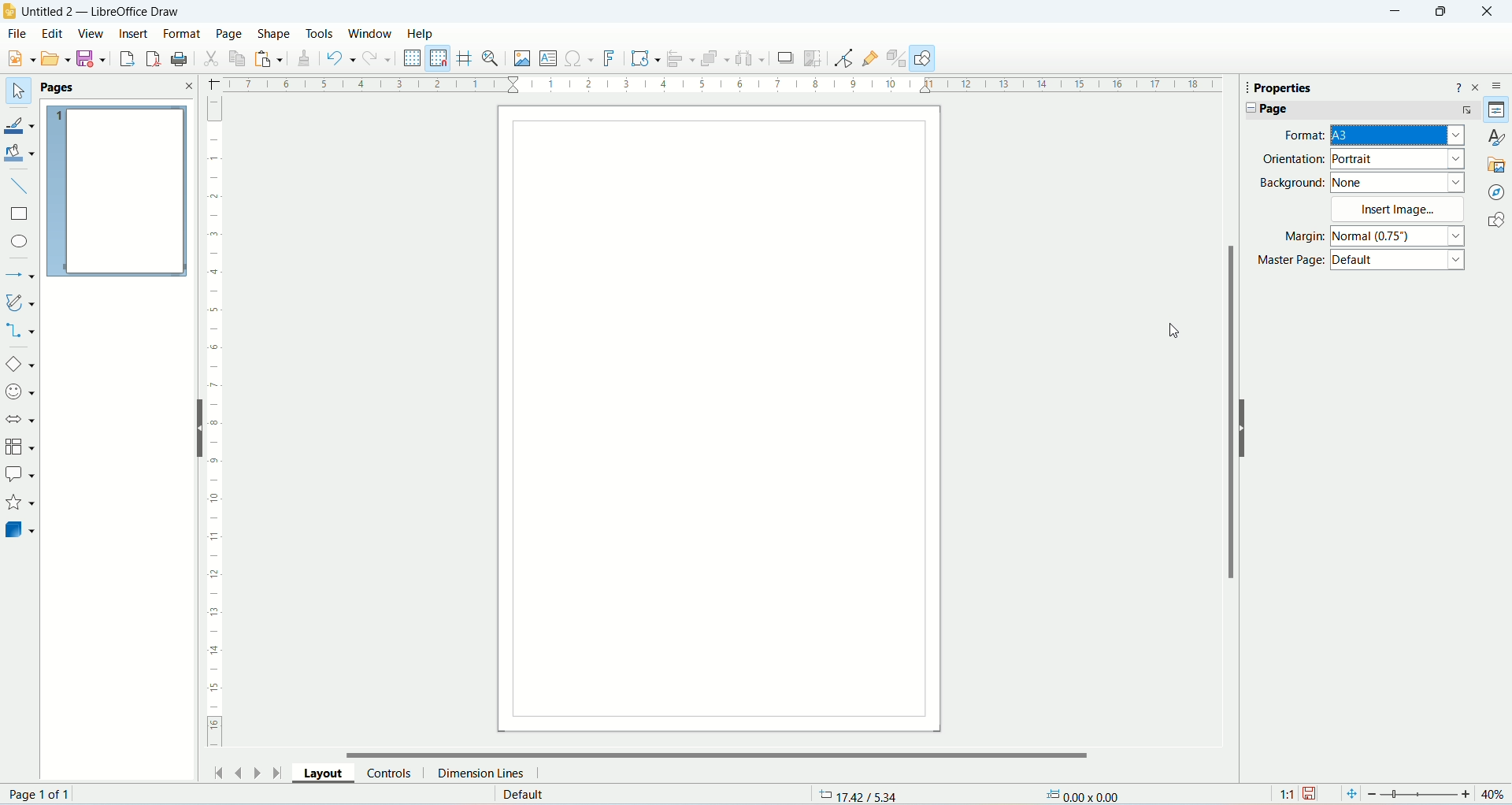  What do you see at coordinates (126, 59) in the screenshot?
I see `export` at bounding box center [126, 59].